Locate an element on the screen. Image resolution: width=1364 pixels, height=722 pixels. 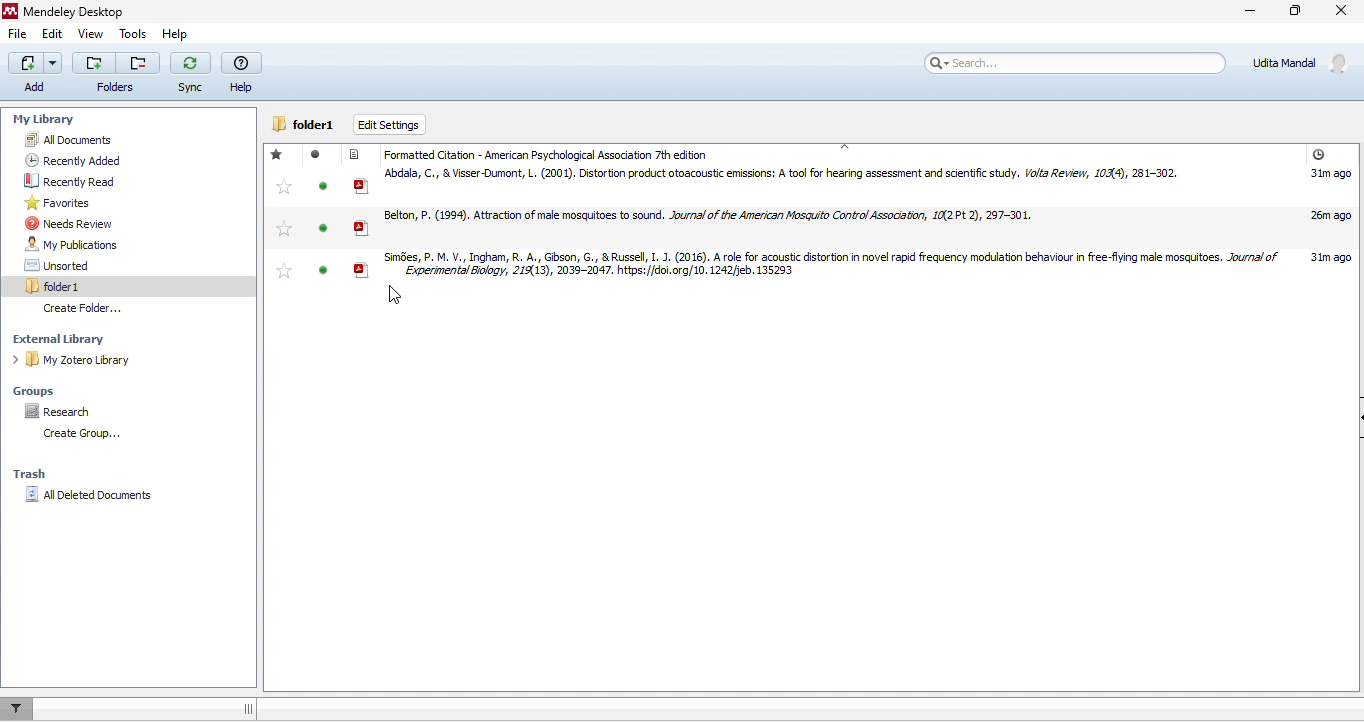
maximize is located at coordinates (1295, 15).